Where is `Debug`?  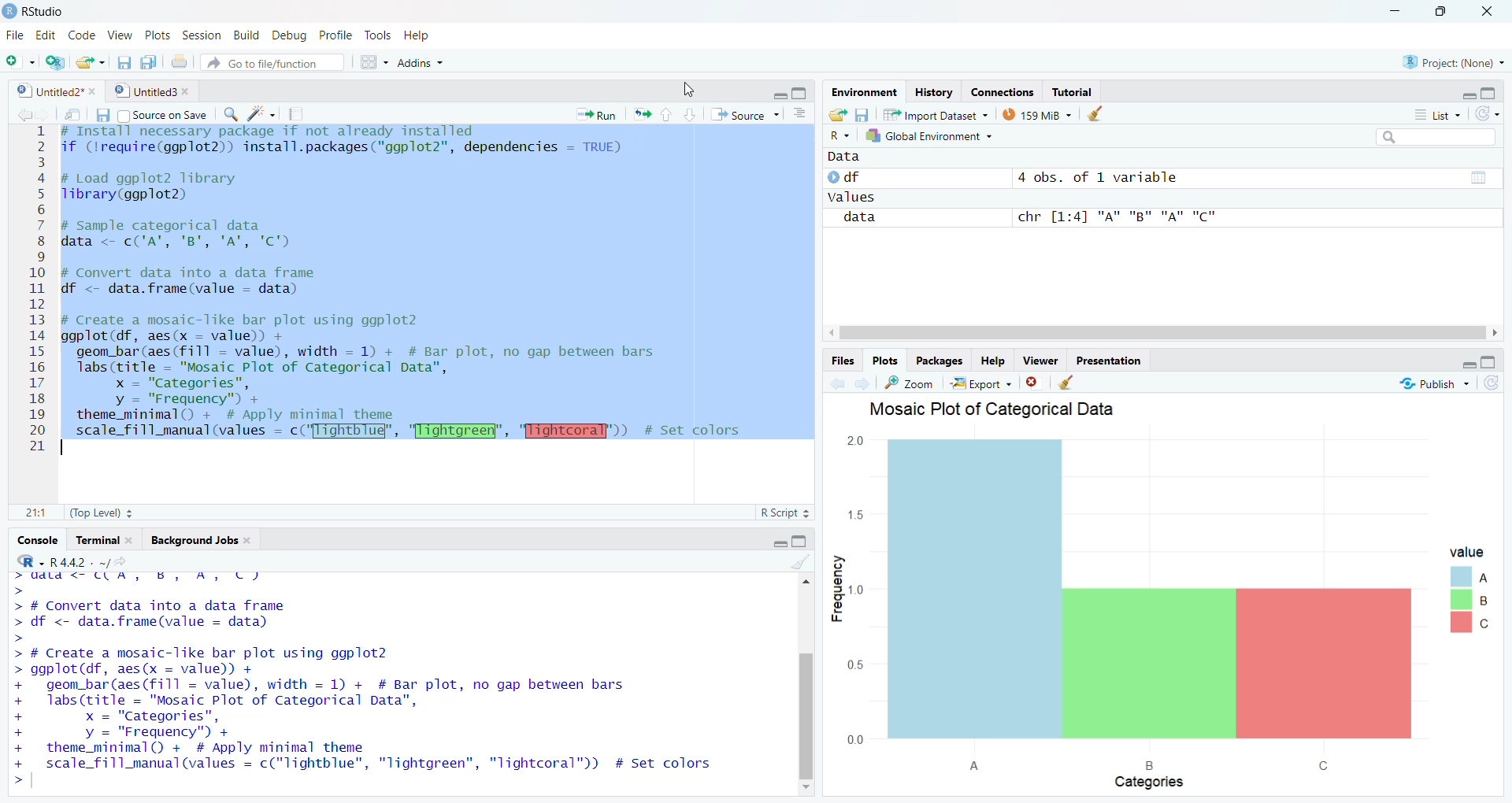
Debug is located at coordinates (288, 37).